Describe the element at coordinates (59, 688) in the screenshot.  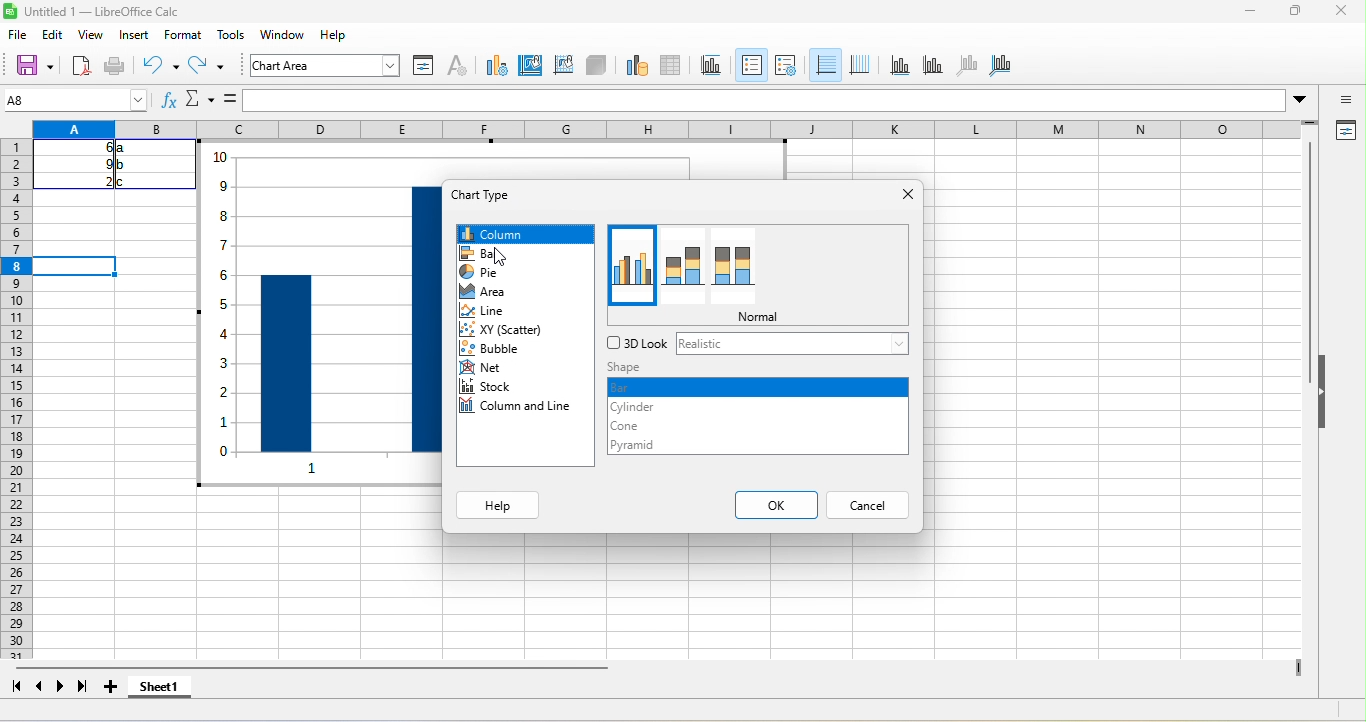
I see `next sheet` at that location.